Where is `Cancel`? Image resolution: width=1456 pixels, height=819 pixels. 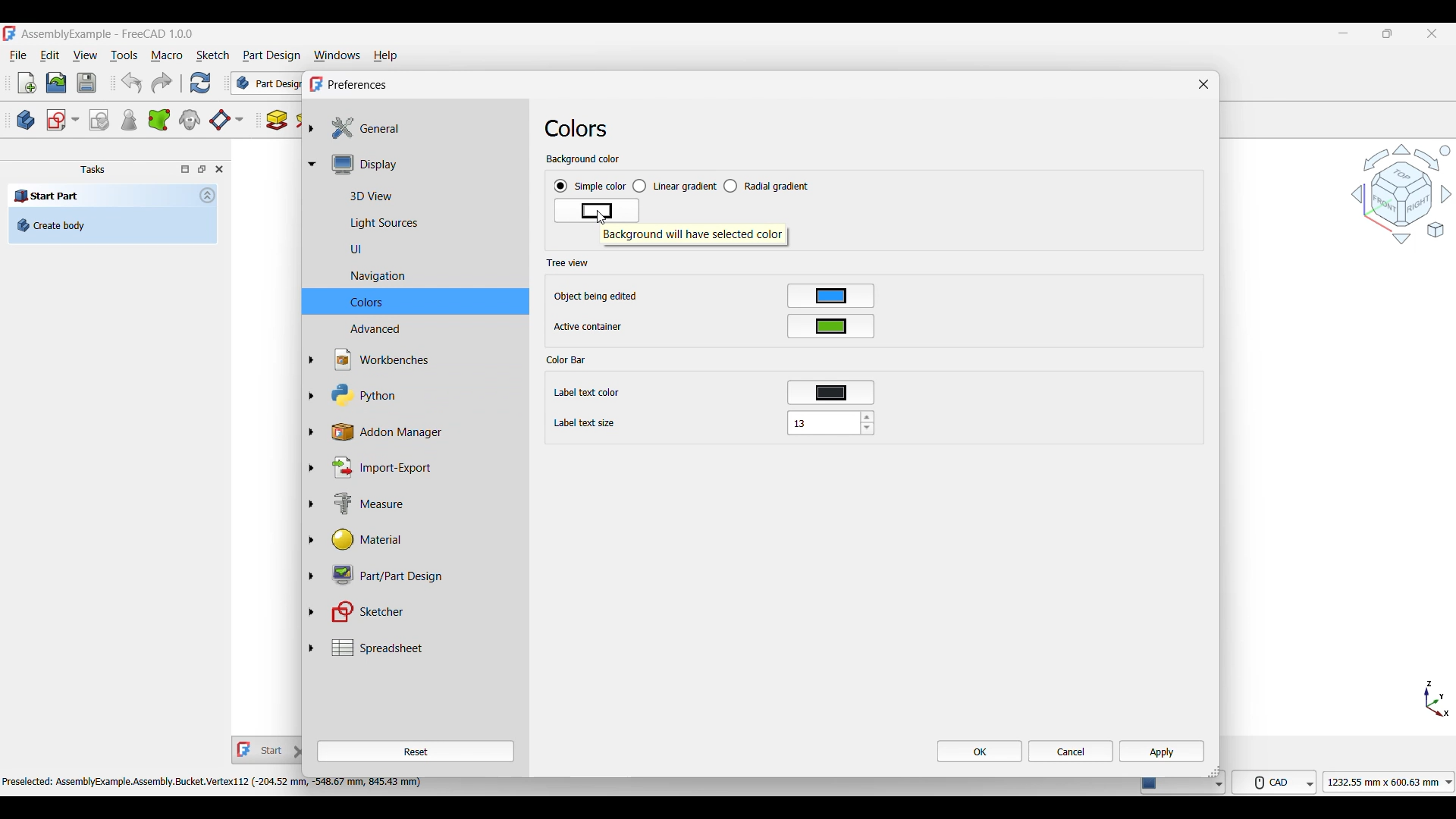 Cancel is located at coordinates (1071, 752).